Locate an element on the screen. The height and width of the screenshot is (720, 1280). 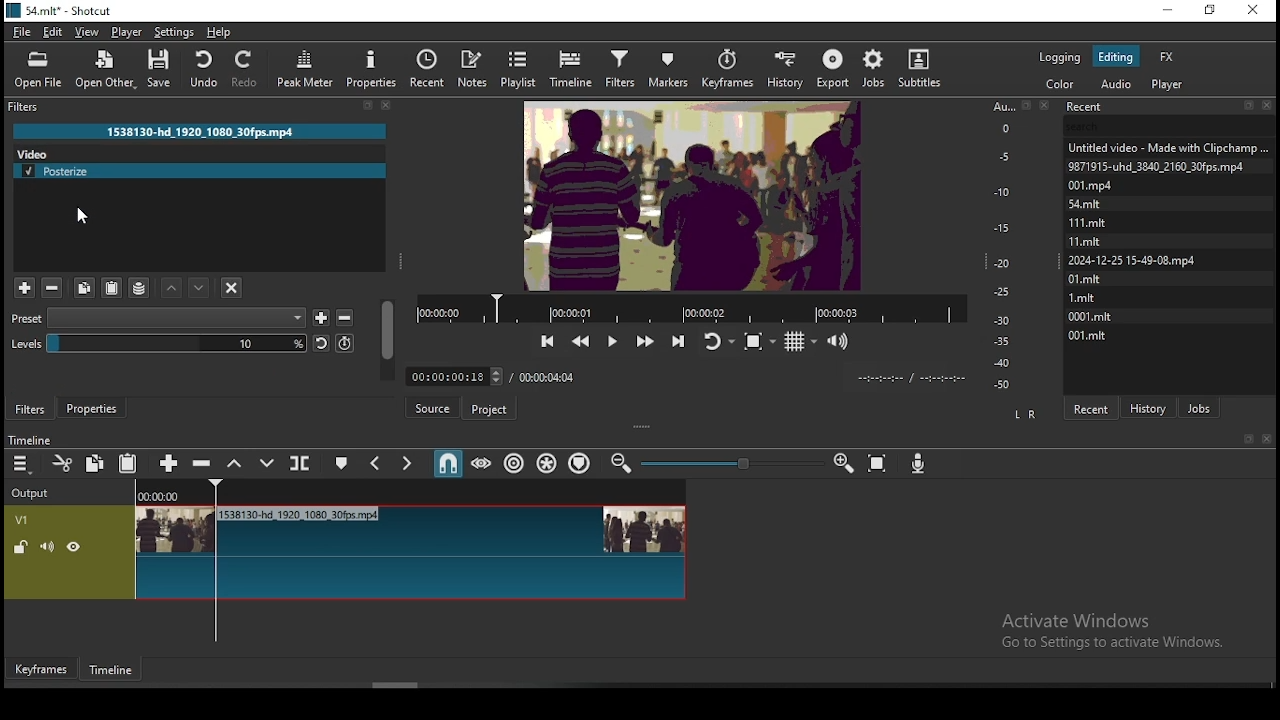
paste filters is located at coordinates (115, 287).